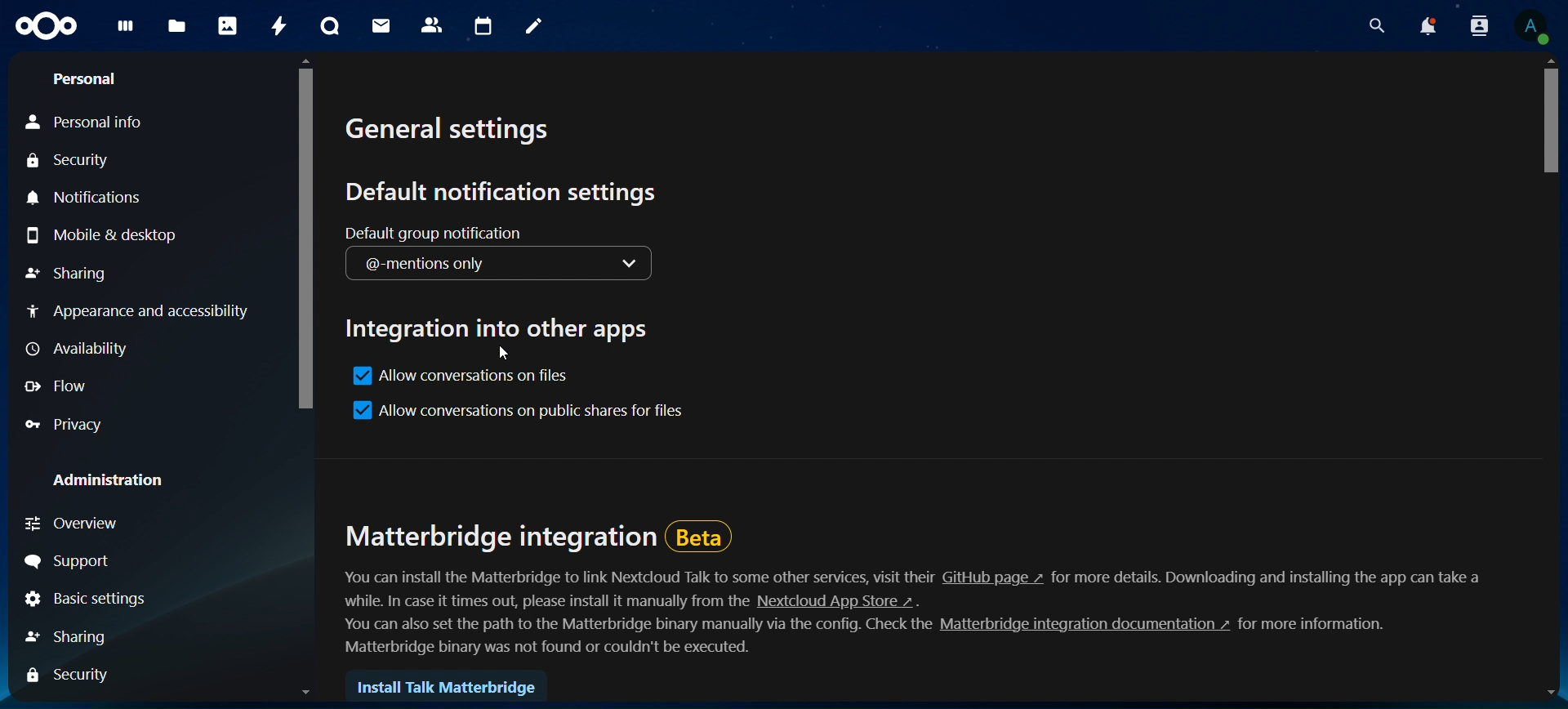 This screenshot has height=709, width=1568. What do you see at coordinates (993, 577) in the screenshot?
I see `hyperlink` at bounding box center [993, 577].